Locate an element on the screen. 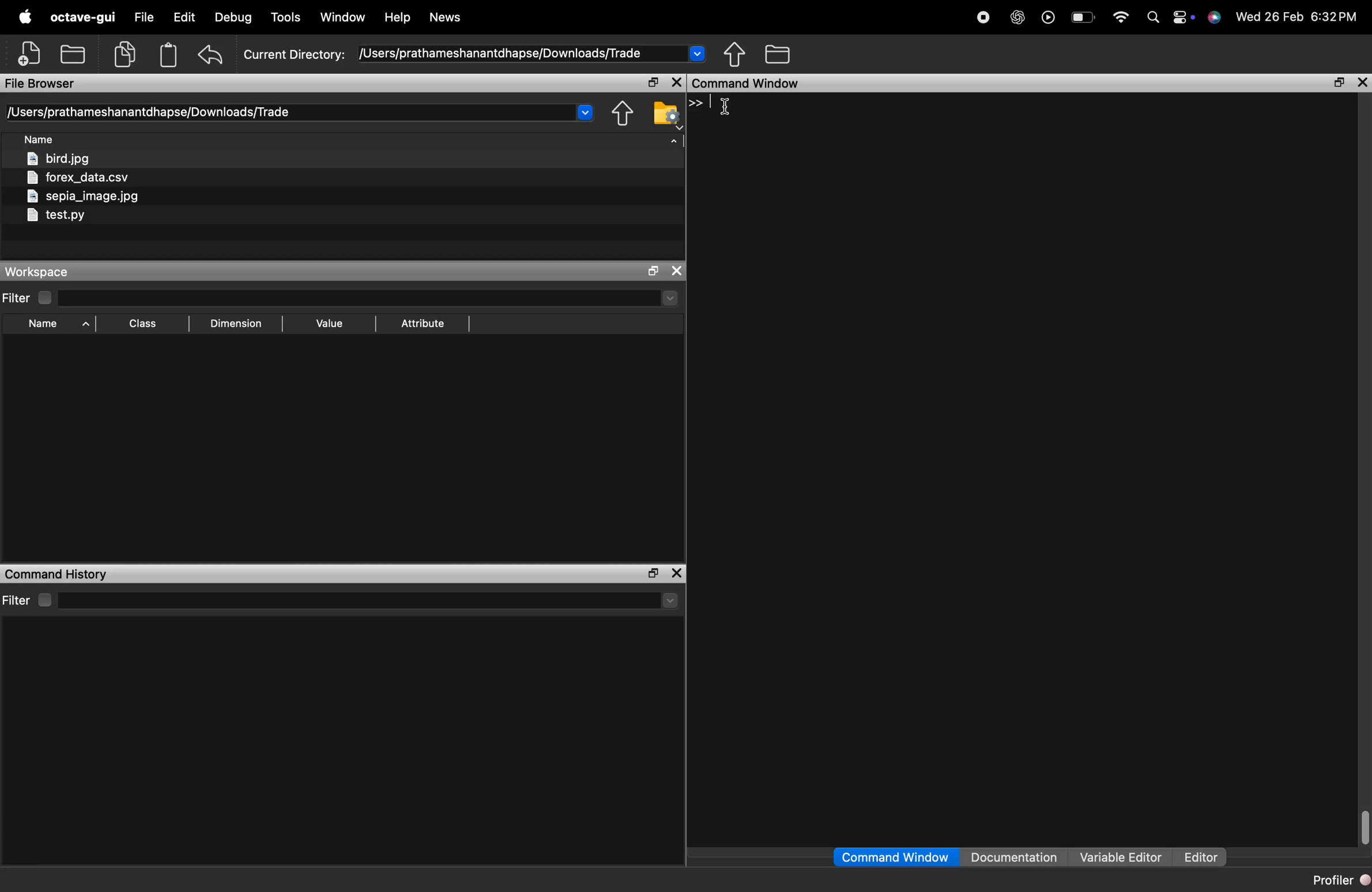 This screenshot has width=1372, height=892. close  is located at coordinates (677, 573).